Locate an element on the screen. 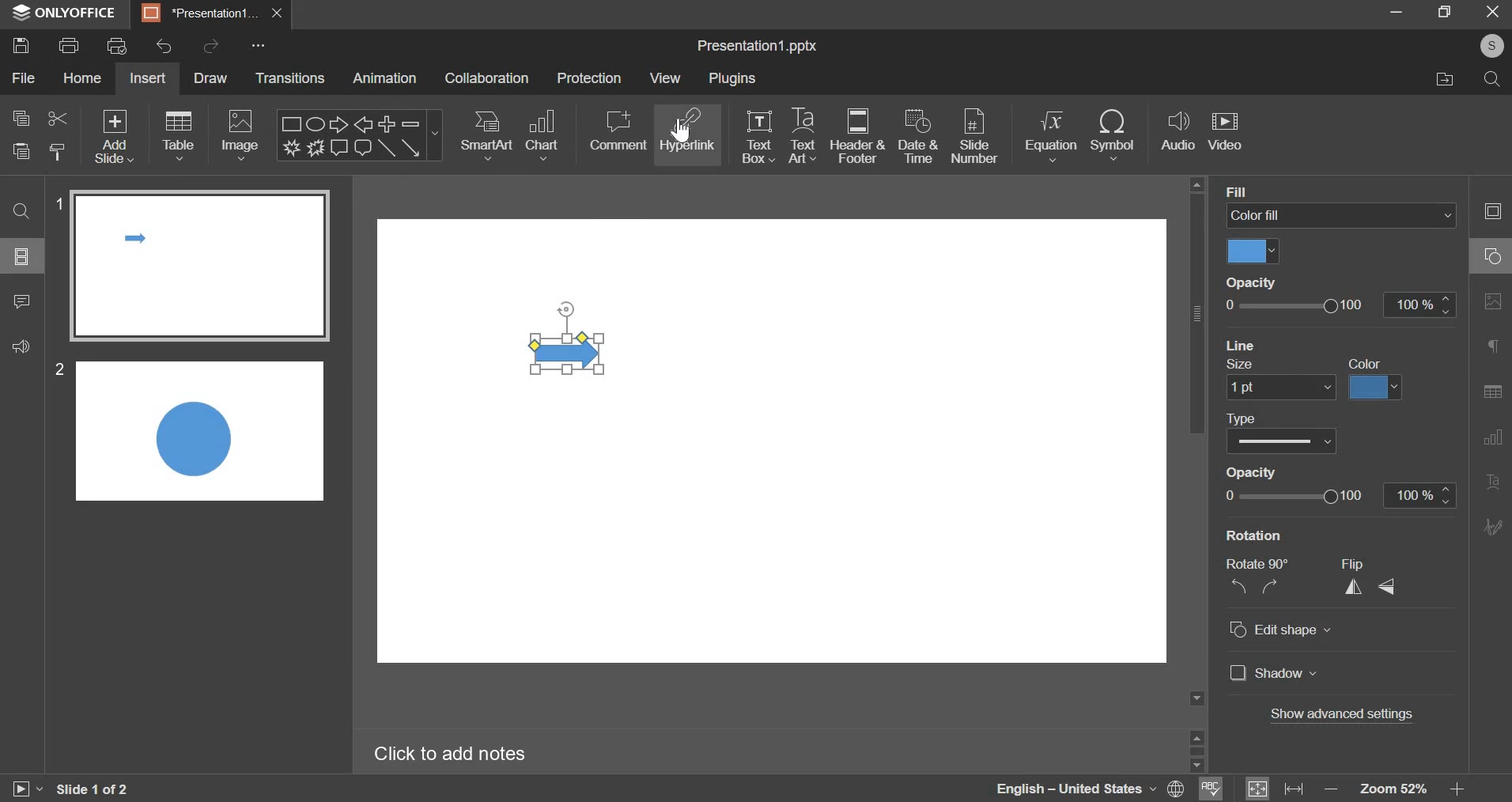  protection is located at coordinates (589, 79).